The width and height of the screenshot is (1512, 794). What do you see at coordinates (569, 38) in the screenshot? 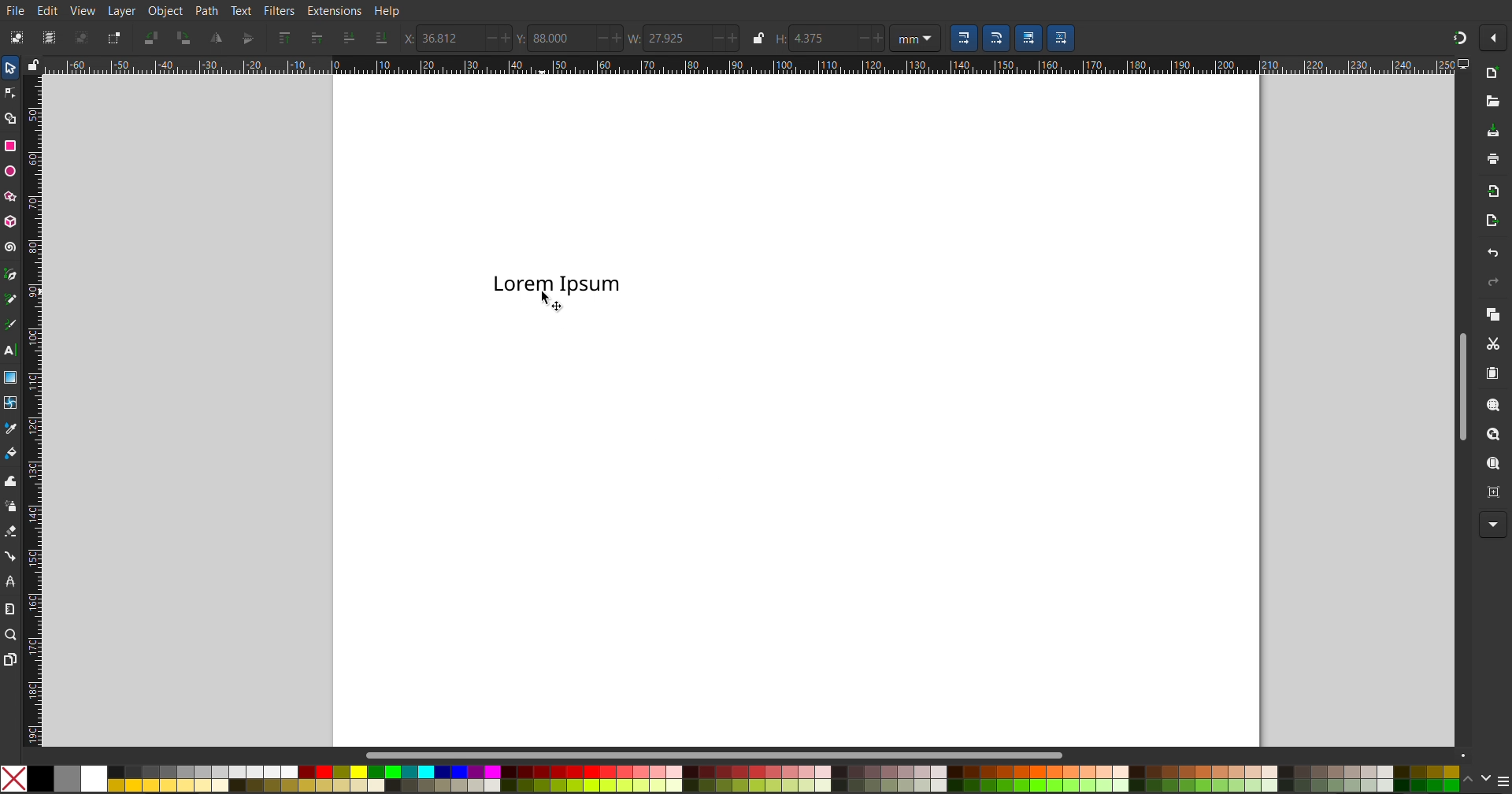
I see `Y Coordinate` at bounding box center [569, 38].